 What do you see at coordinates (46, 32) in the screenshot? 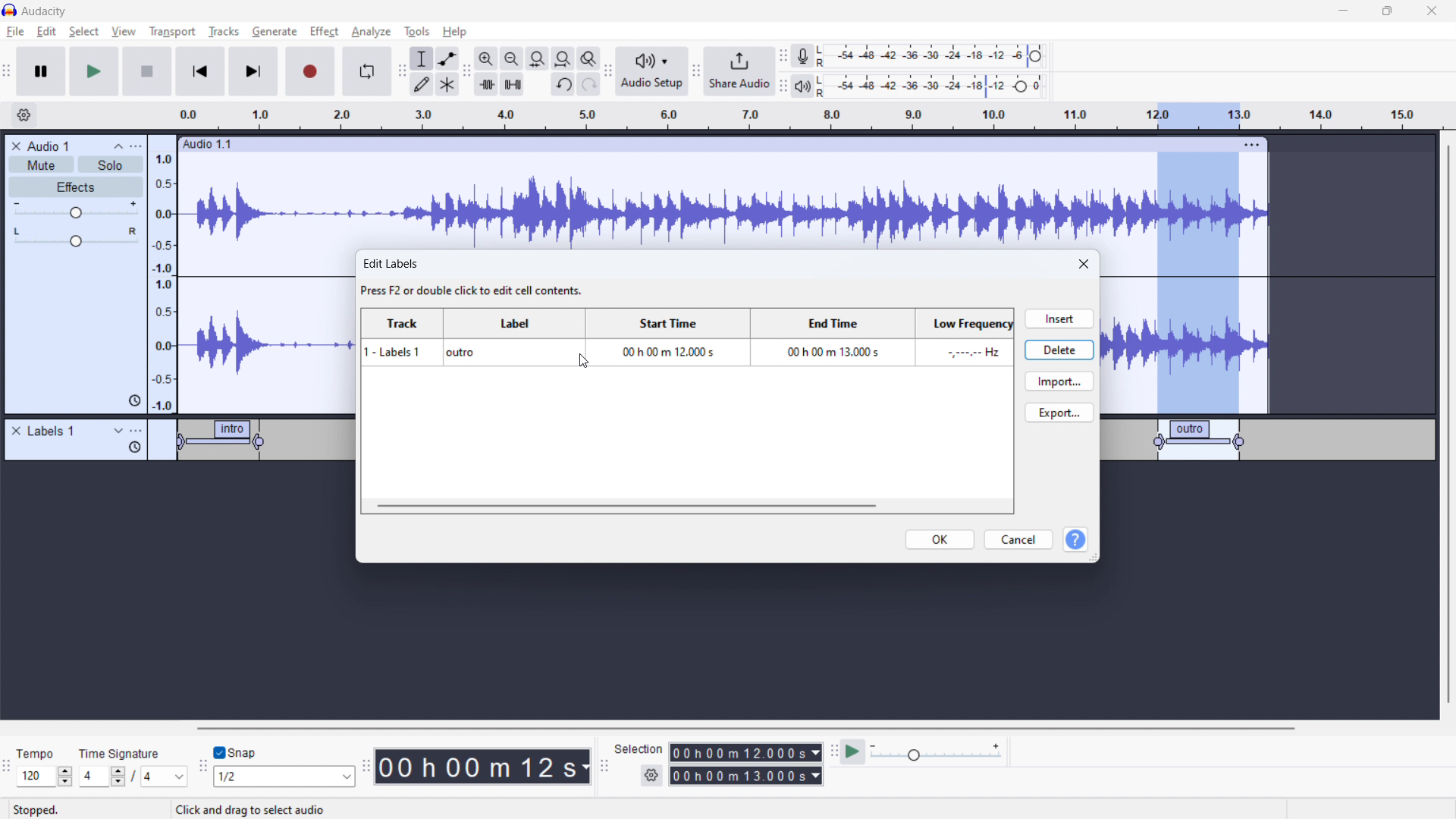
I see `edit` at bounding box center [46, 32].